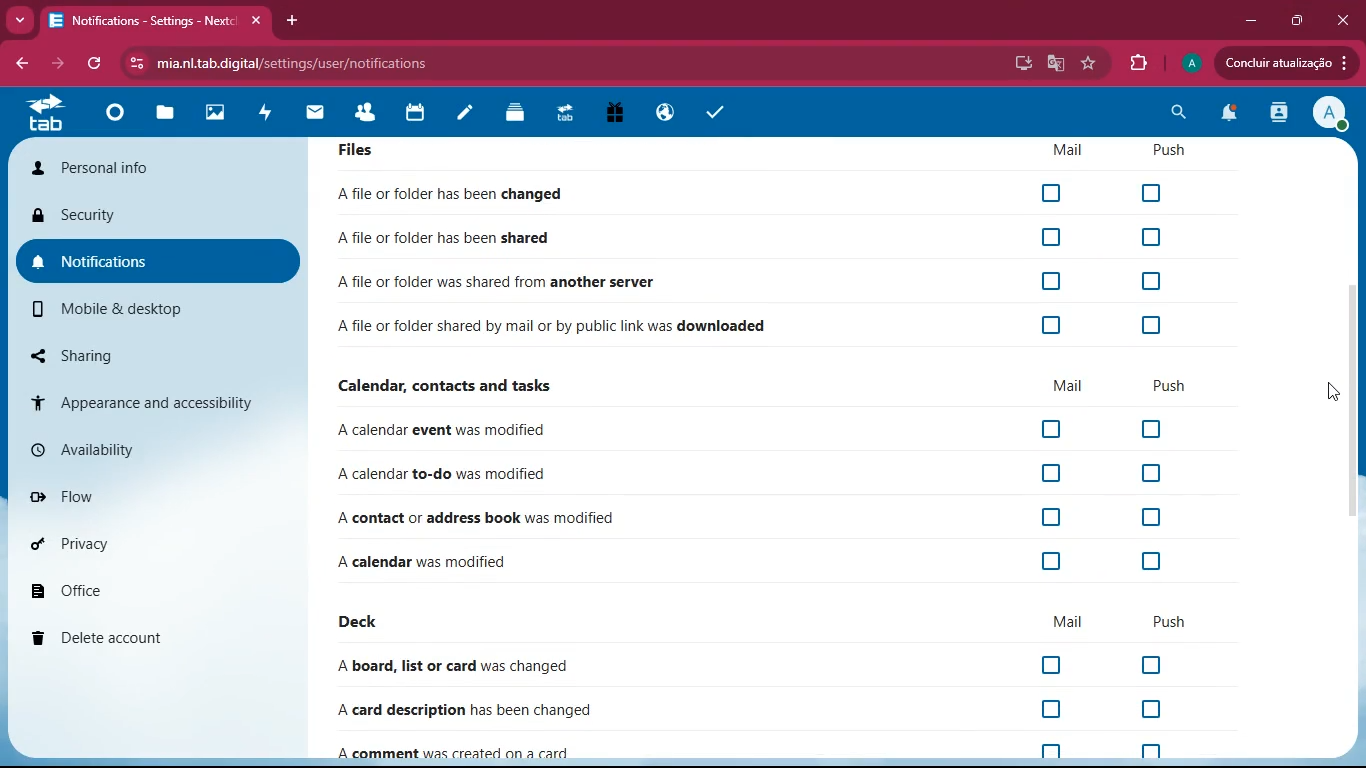 The width and height of the screenshot is (1366, 768). What do you see at coordinates (1054, 238) in the screenshot?
I see `Checkbox` at bounding box center [1054, 238].